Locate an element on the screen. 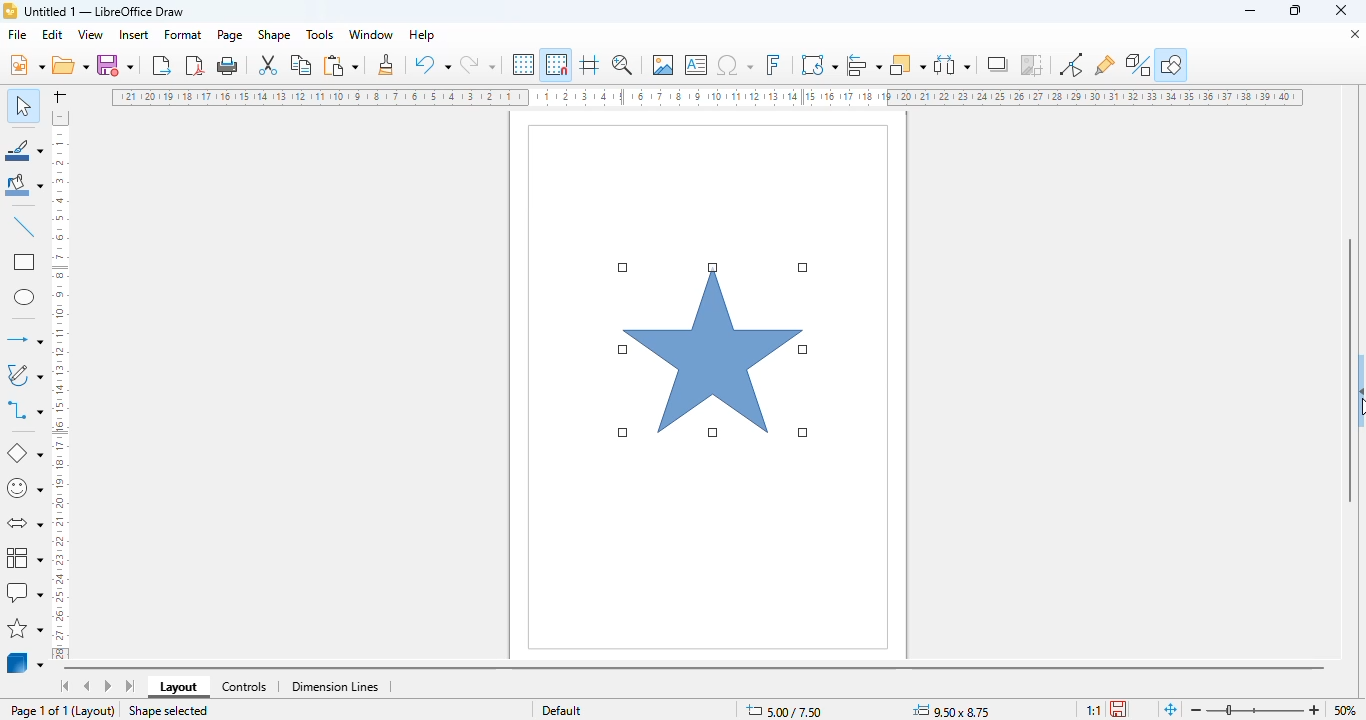 This screenshot has height=720, width=1366. block arrows is located at coordinates (23, 524).